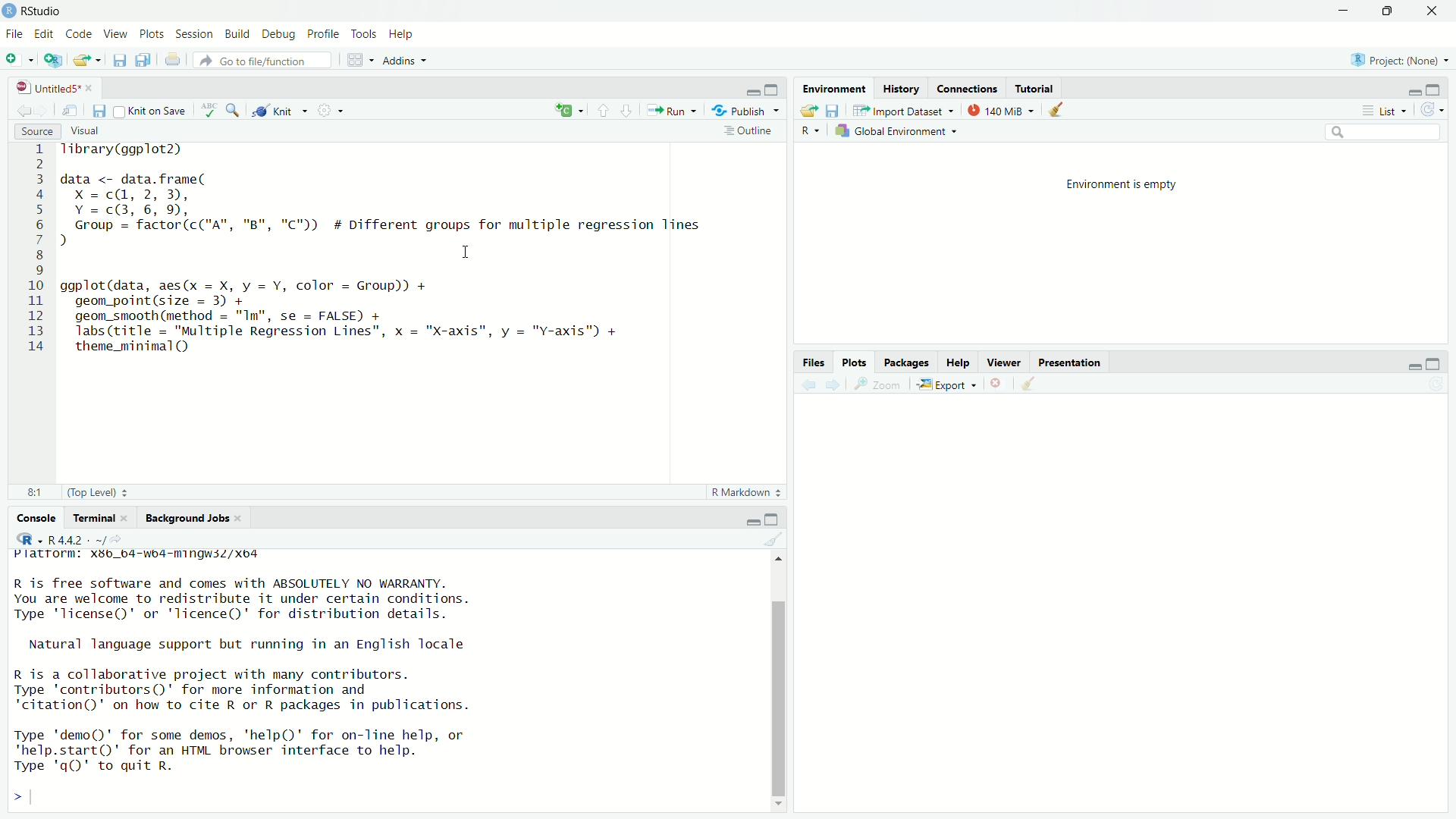 The width and height of the screenshot is (1456, 819). I want to click on , so click(813, 361).